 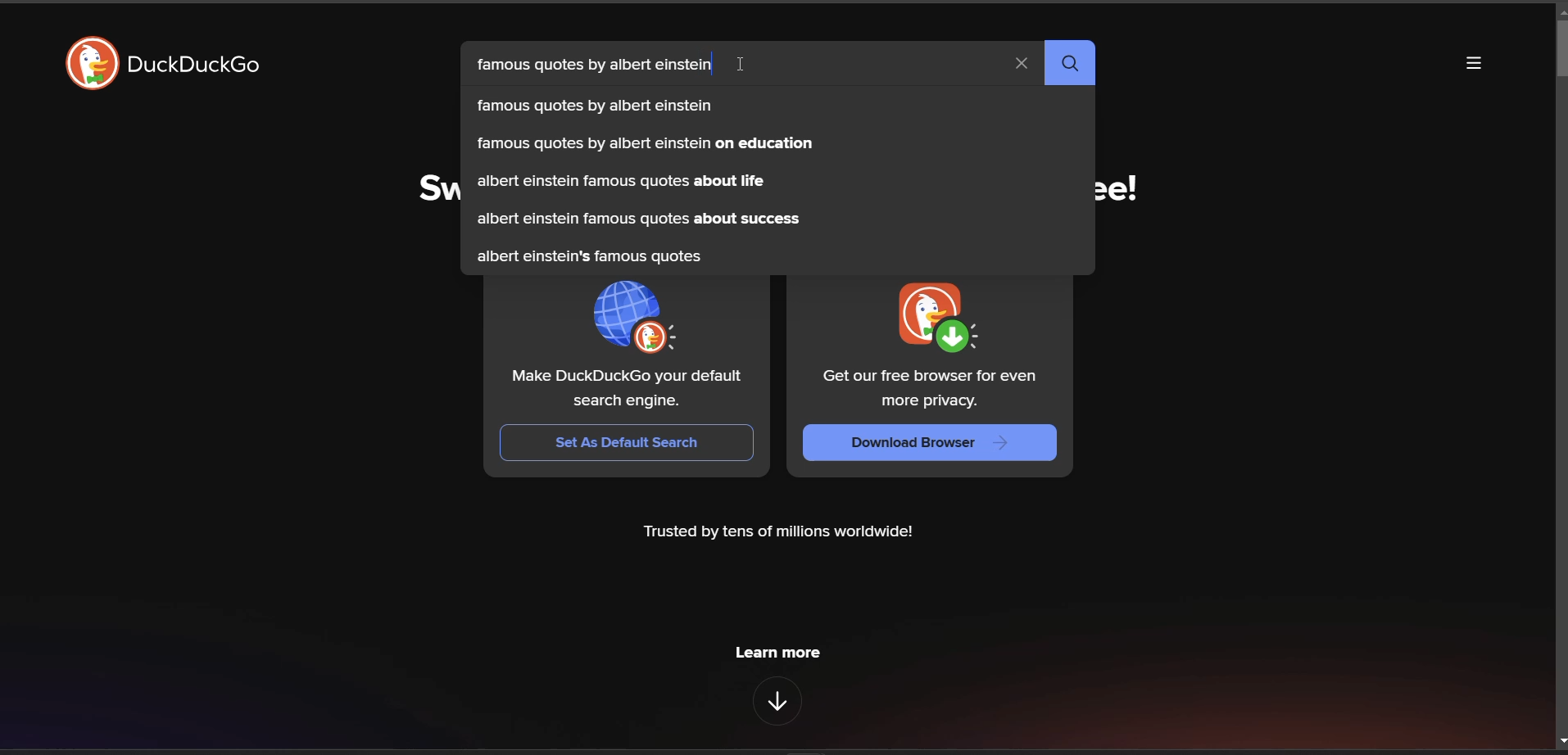 I want to click on albert einstein famous quotes about success, so click(x=640, y=219).